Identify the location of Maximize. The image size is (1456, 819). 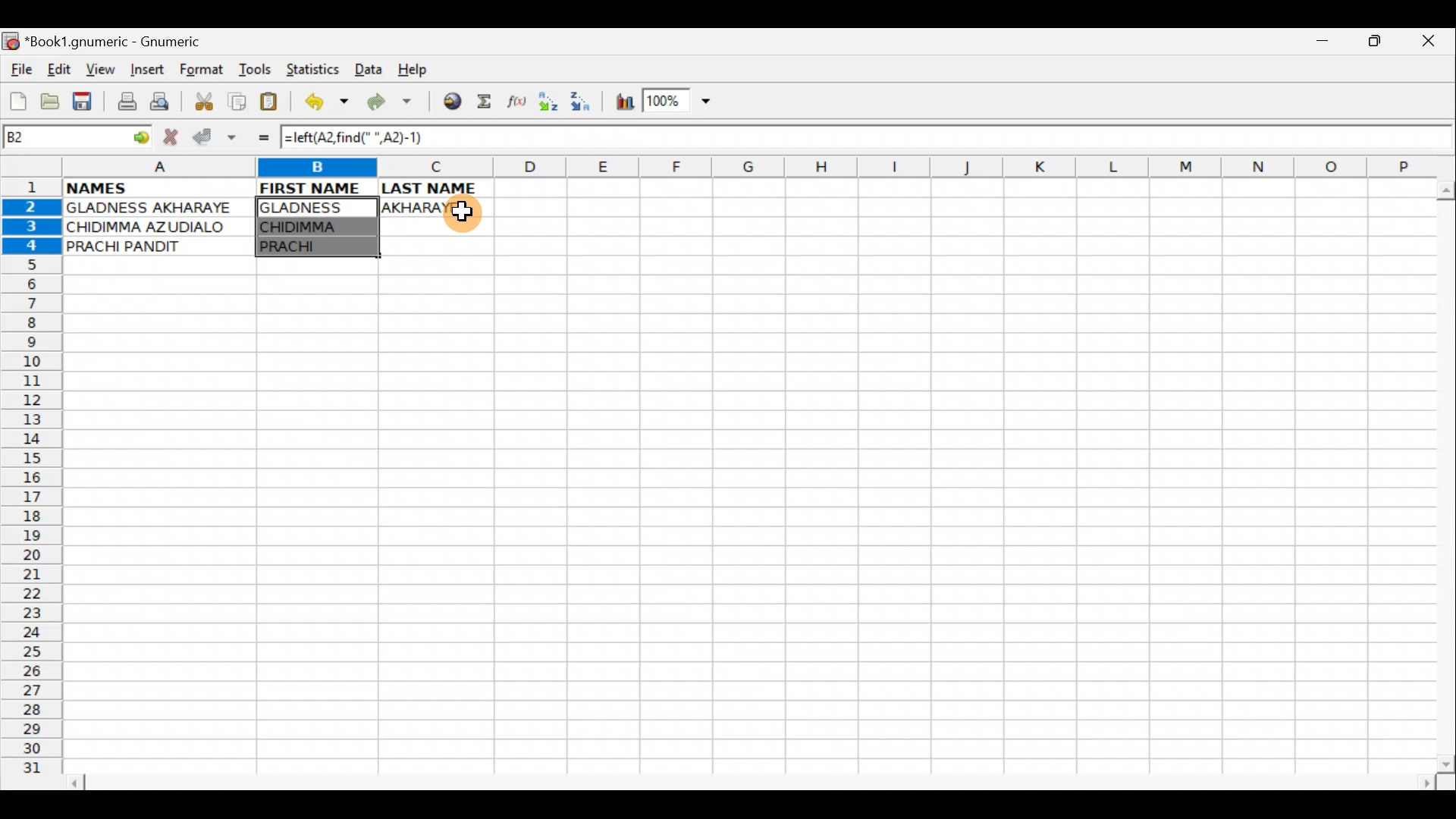
(1377, 44).